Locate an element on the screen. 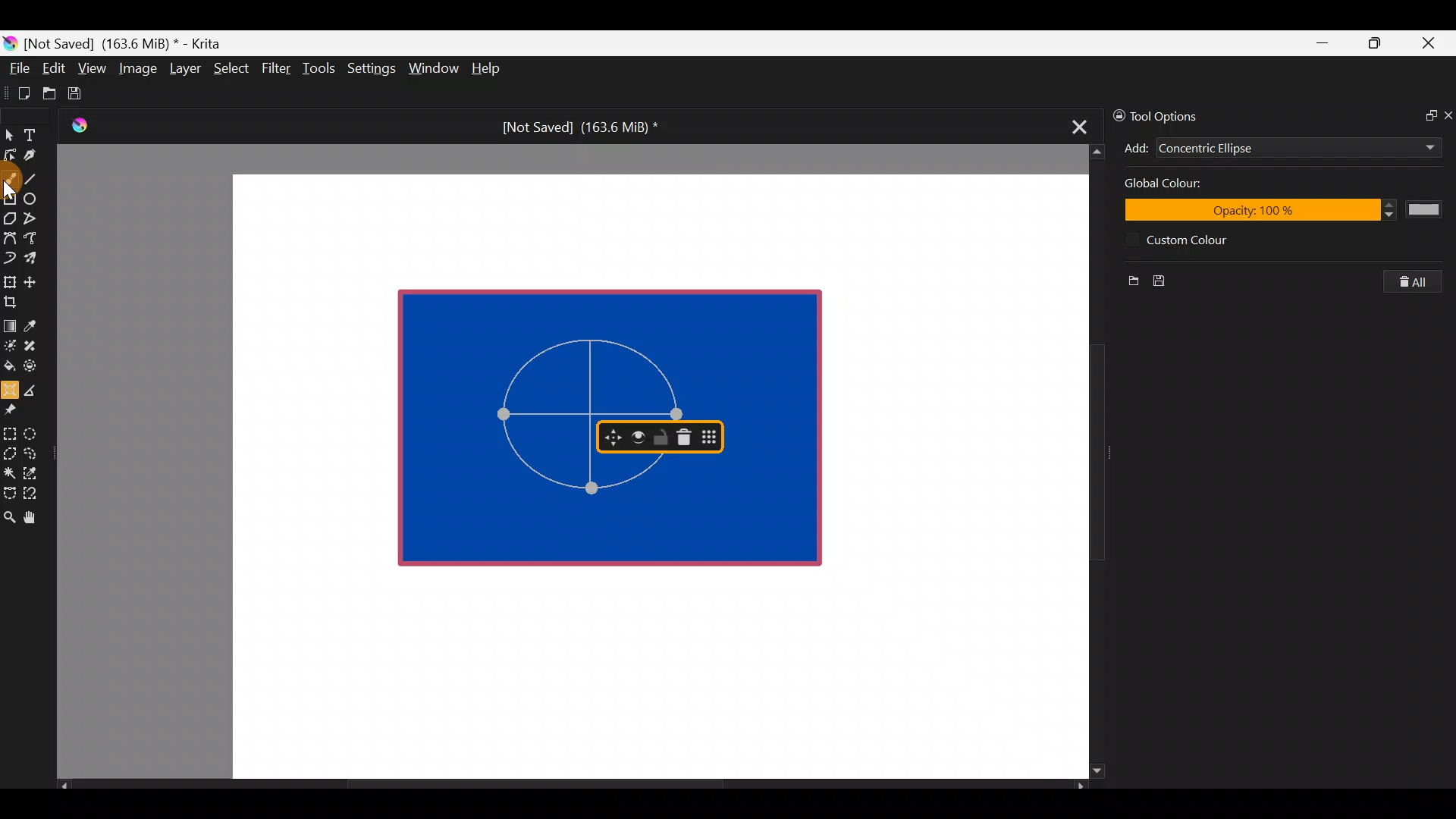  Select is located at coordinates (232, 67).